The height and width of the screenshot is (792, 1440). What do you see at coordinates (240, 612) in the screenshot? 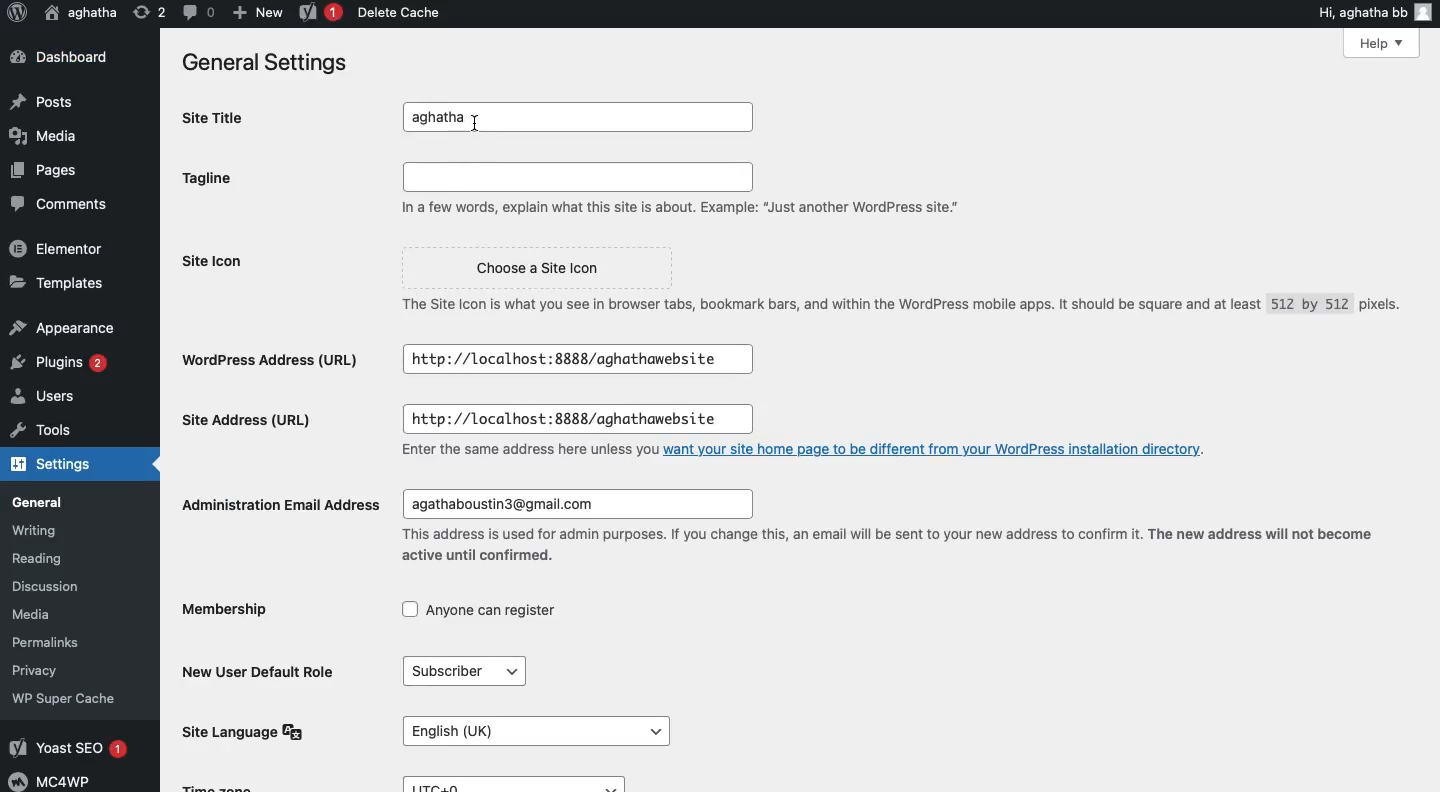
I see `Membership` at bounding box center [240, 612].